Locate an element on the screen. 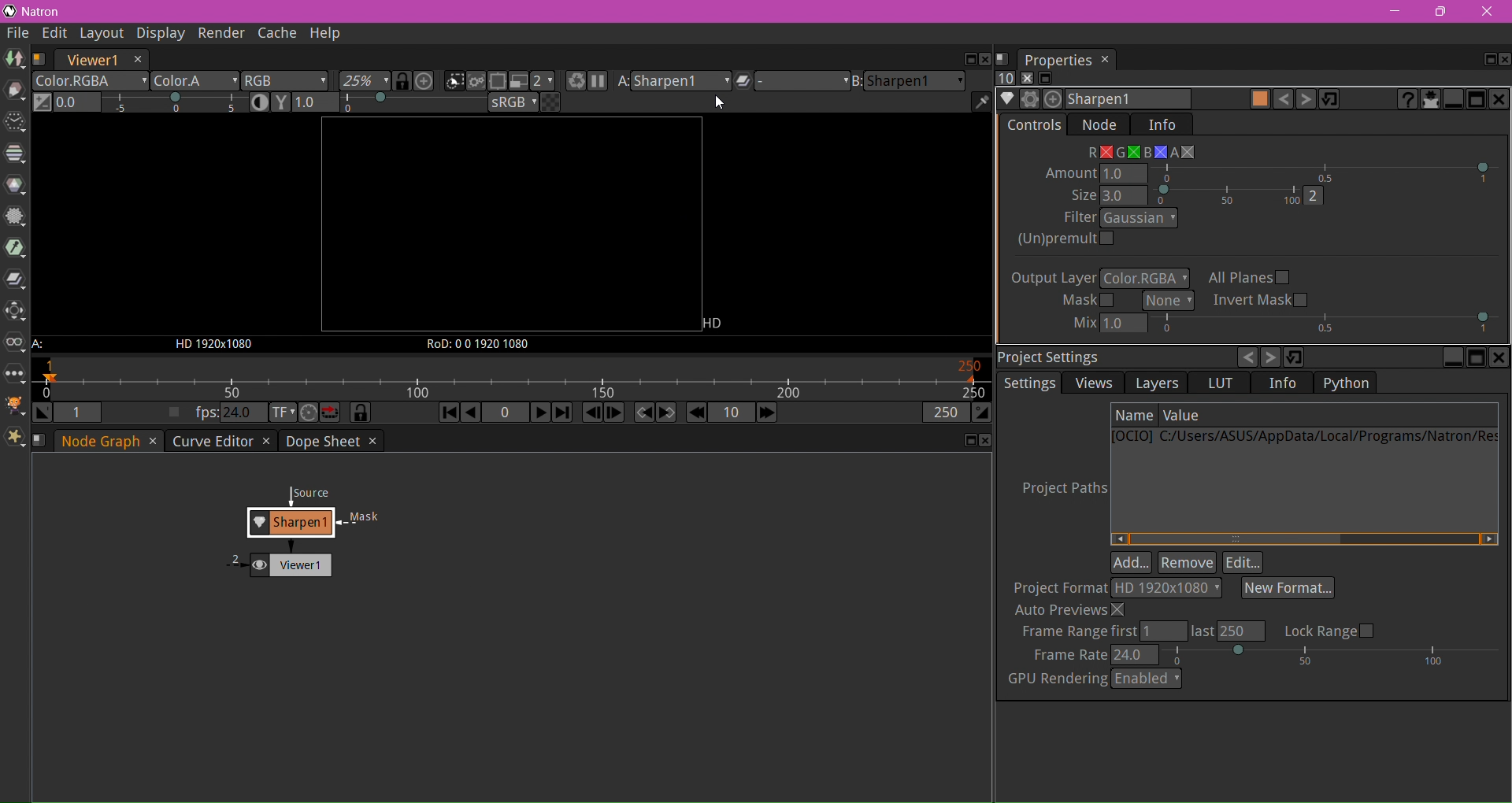 The width and height of the screenshot is (1512, 803). Channel is located at coordinates (15, 154).